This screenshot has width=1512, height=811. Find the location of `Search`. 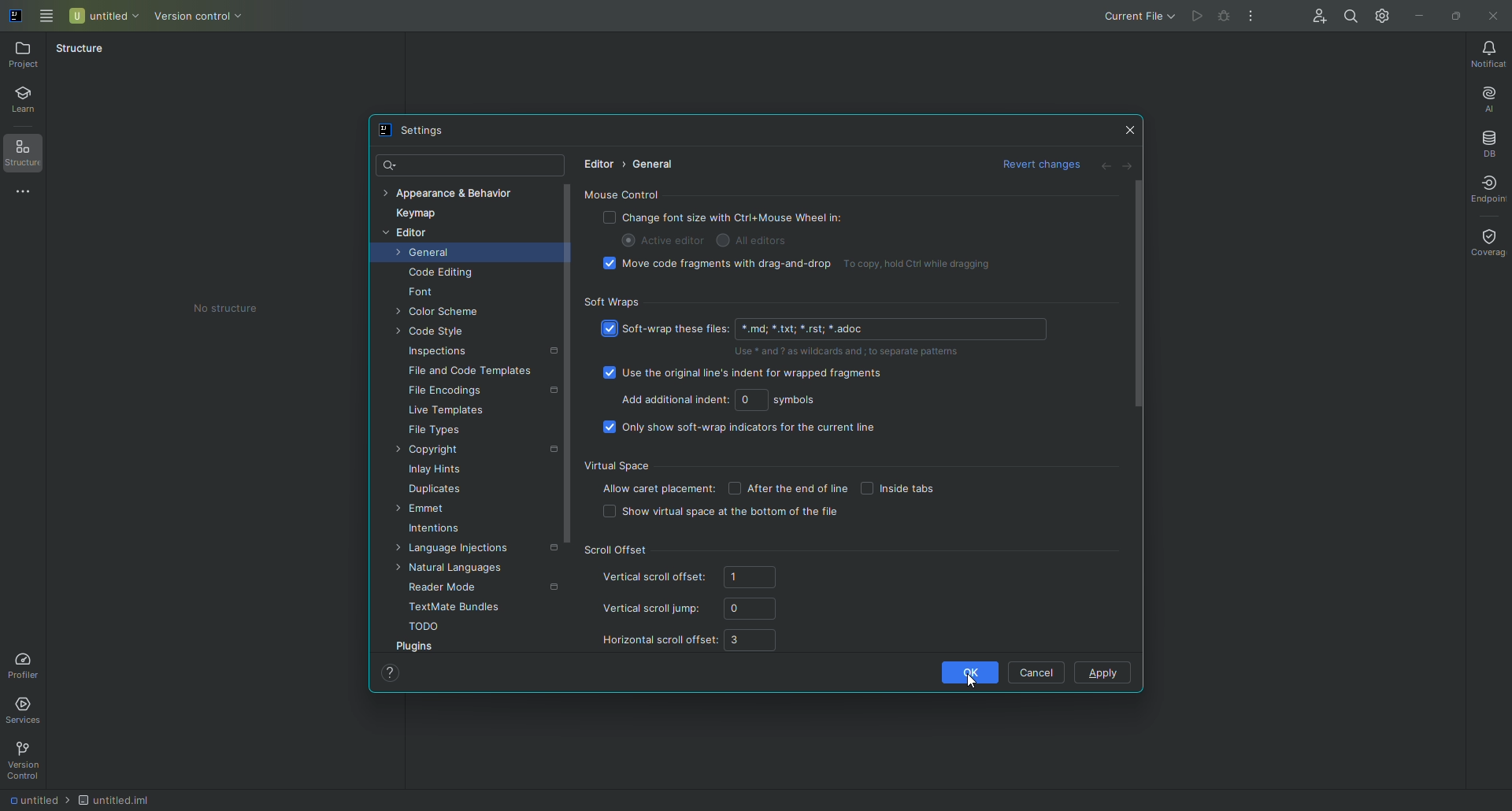

Search is located at coordinates (1351, 17).